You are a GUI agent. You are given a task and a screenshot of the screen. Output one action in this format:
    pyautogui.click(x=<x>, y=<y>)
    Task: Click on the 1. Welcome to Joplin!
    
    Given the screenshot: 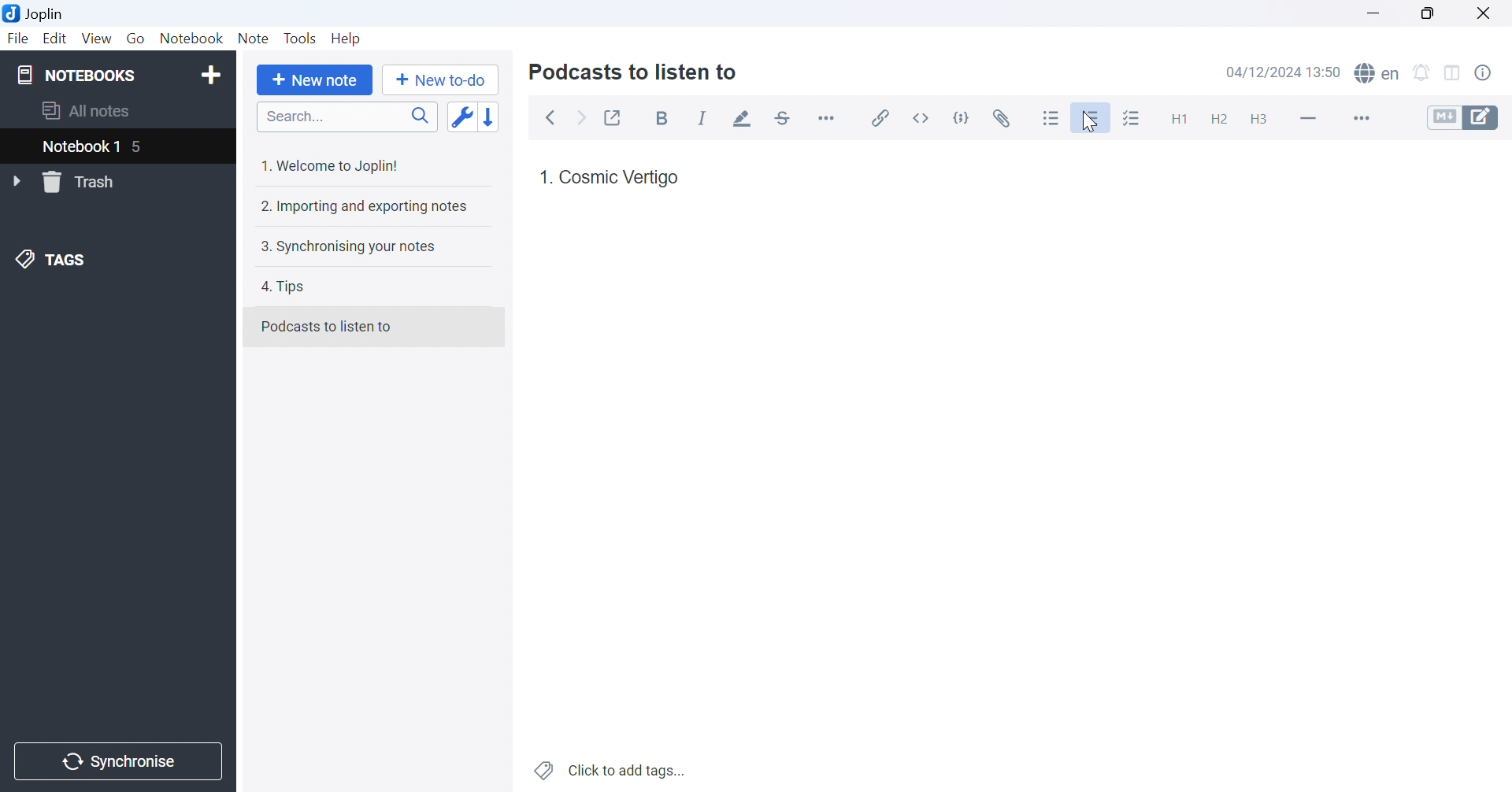 What is the action you would take?
    pyautogui.click(x=332, y=167)
    